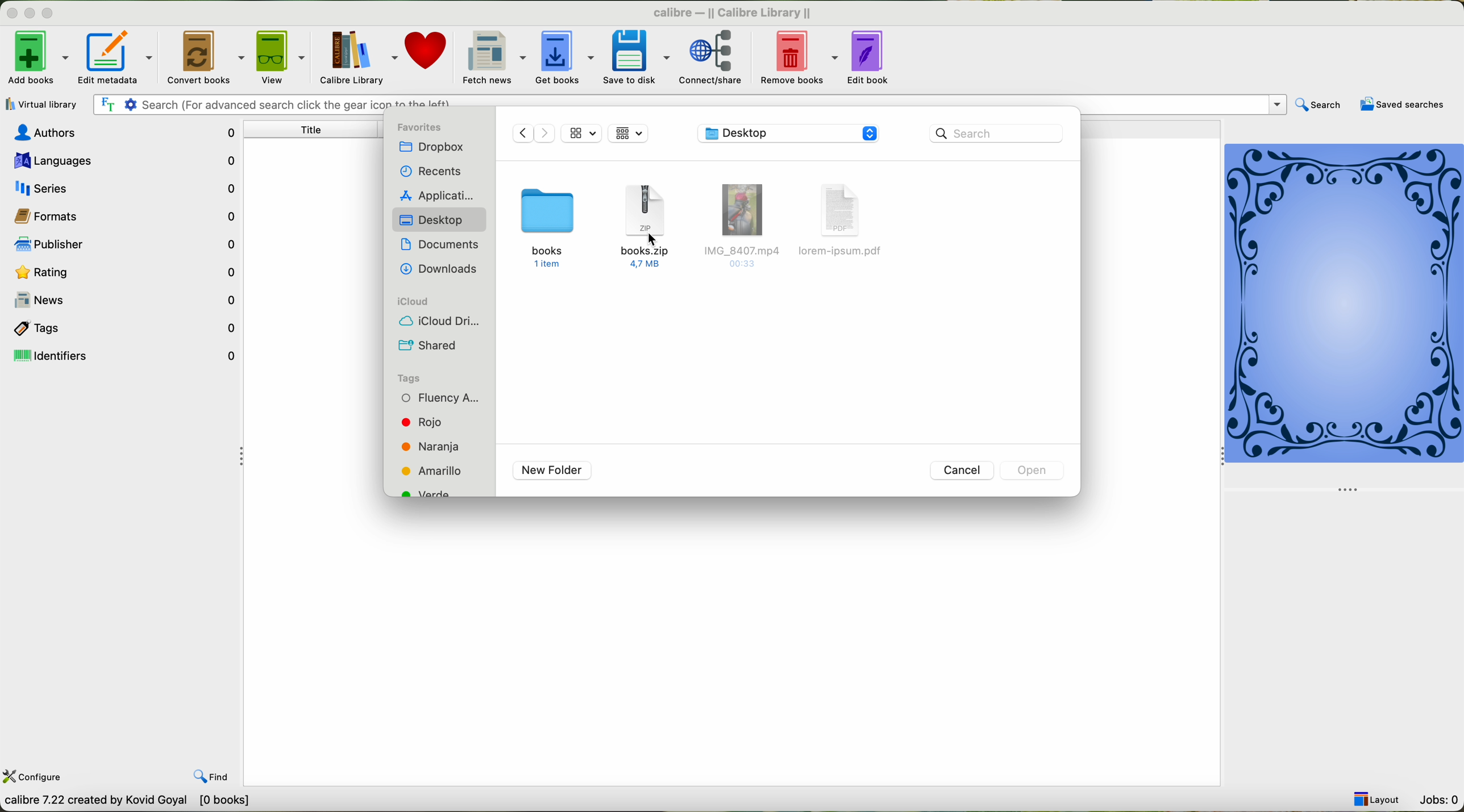 The height and width of the screenshot is (812, 1464). I want to click on convert books, so click(203, 58).